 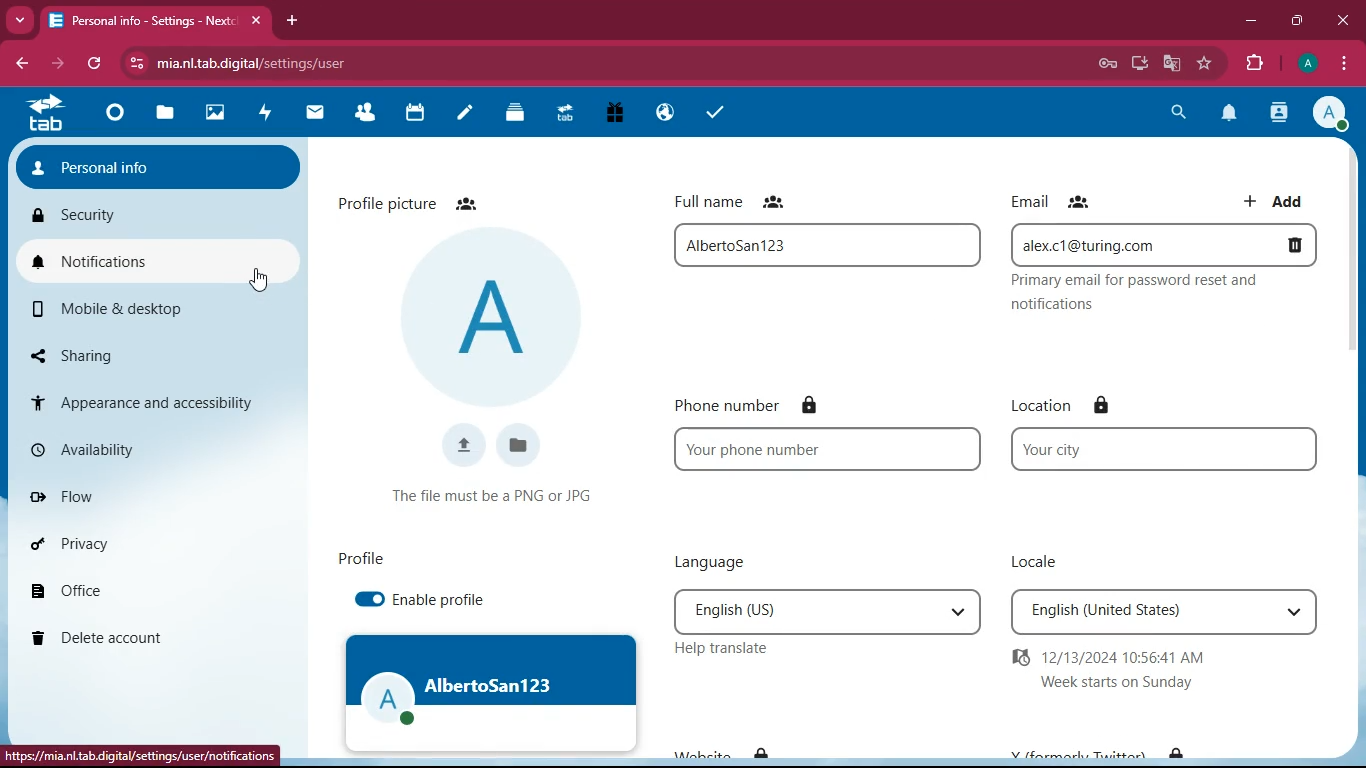 I want to click on Upgrade, so click(x=566, y=115).